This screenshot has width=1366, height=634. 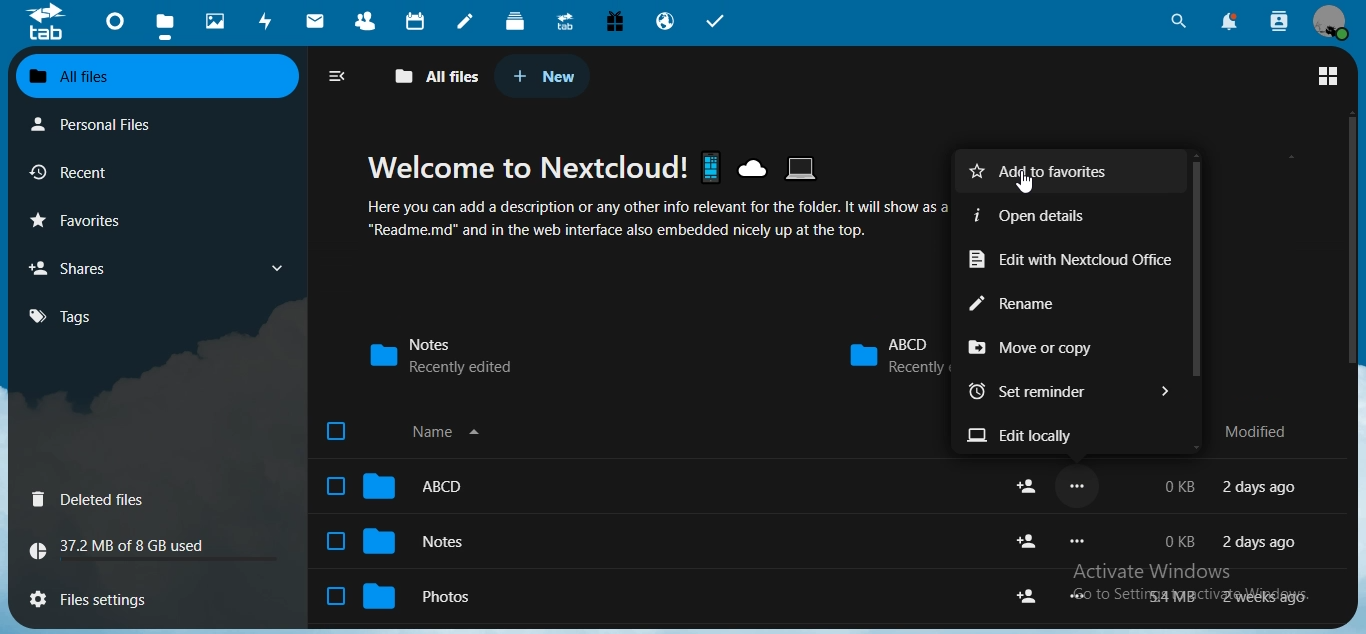 What do you see at coordinates (1027, 541) in the screenshot?
I see `share` at bounding box center [1027, 541].